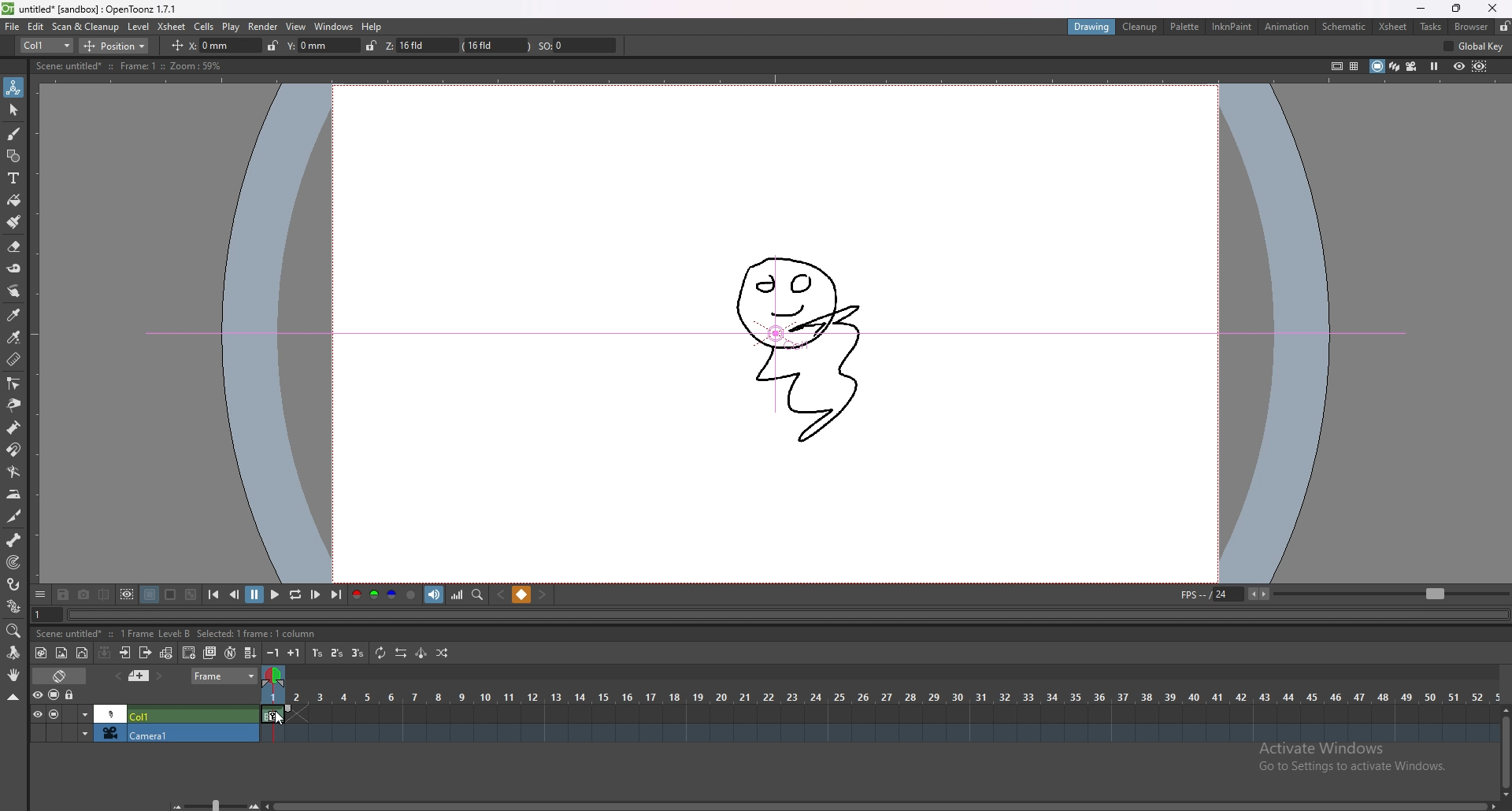  Describe the element at coordinates (1232, 27) in the screenshot. I see `inknpaint` at that location.